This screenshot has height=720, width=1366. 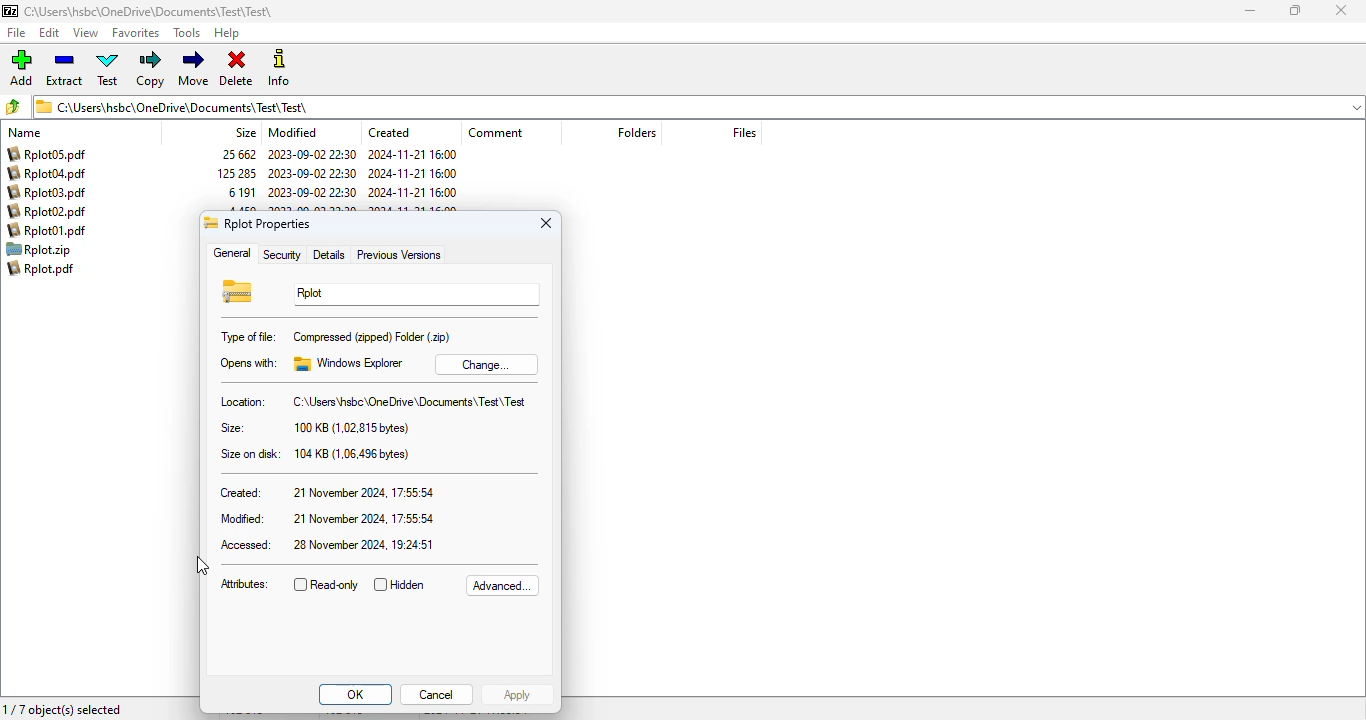 I want to click on Rplot.pdf, so click(x=52, y=271).